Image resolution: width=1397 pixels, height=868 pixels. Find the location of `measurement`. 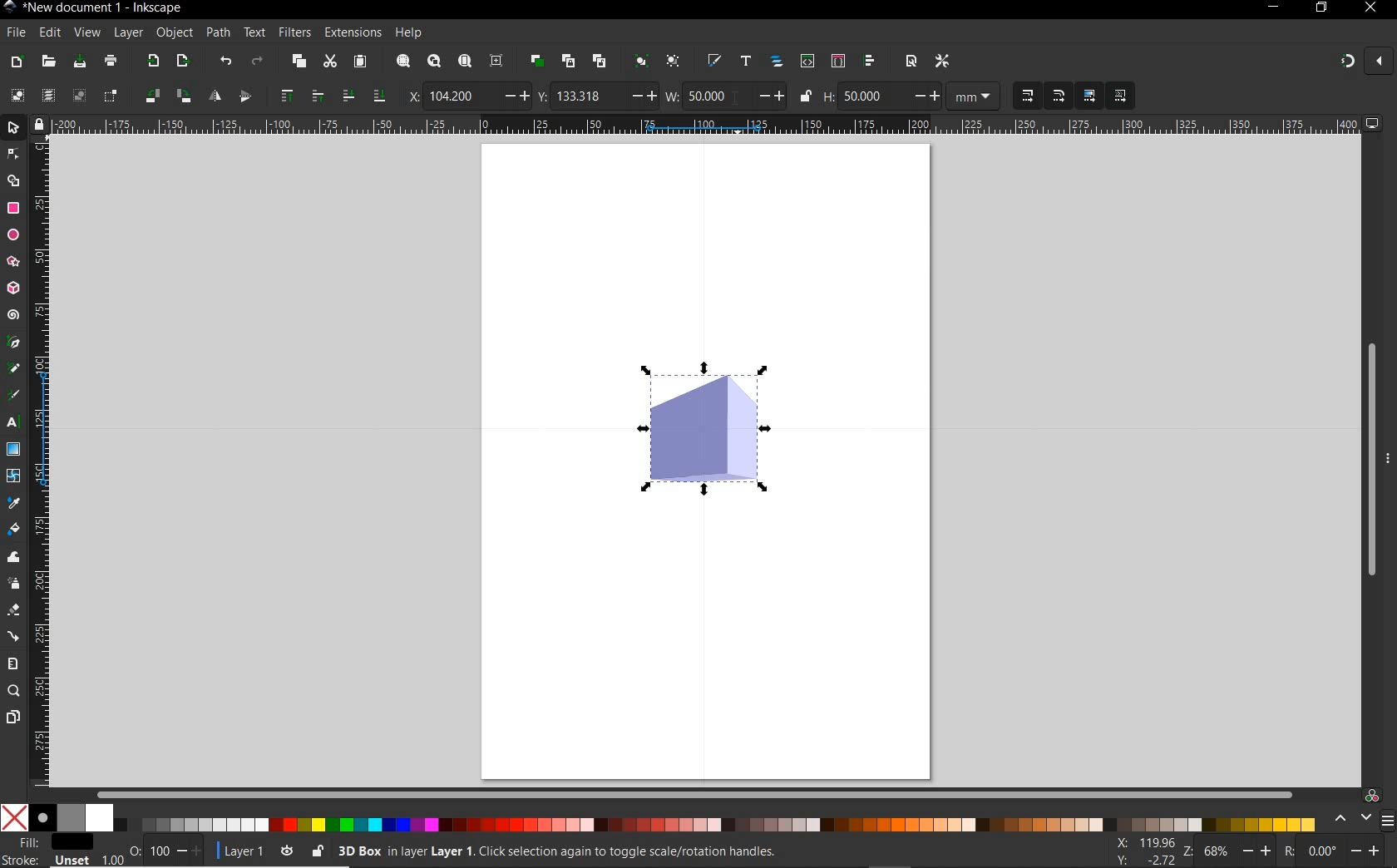

measurement is located at coordinates (975, 97).